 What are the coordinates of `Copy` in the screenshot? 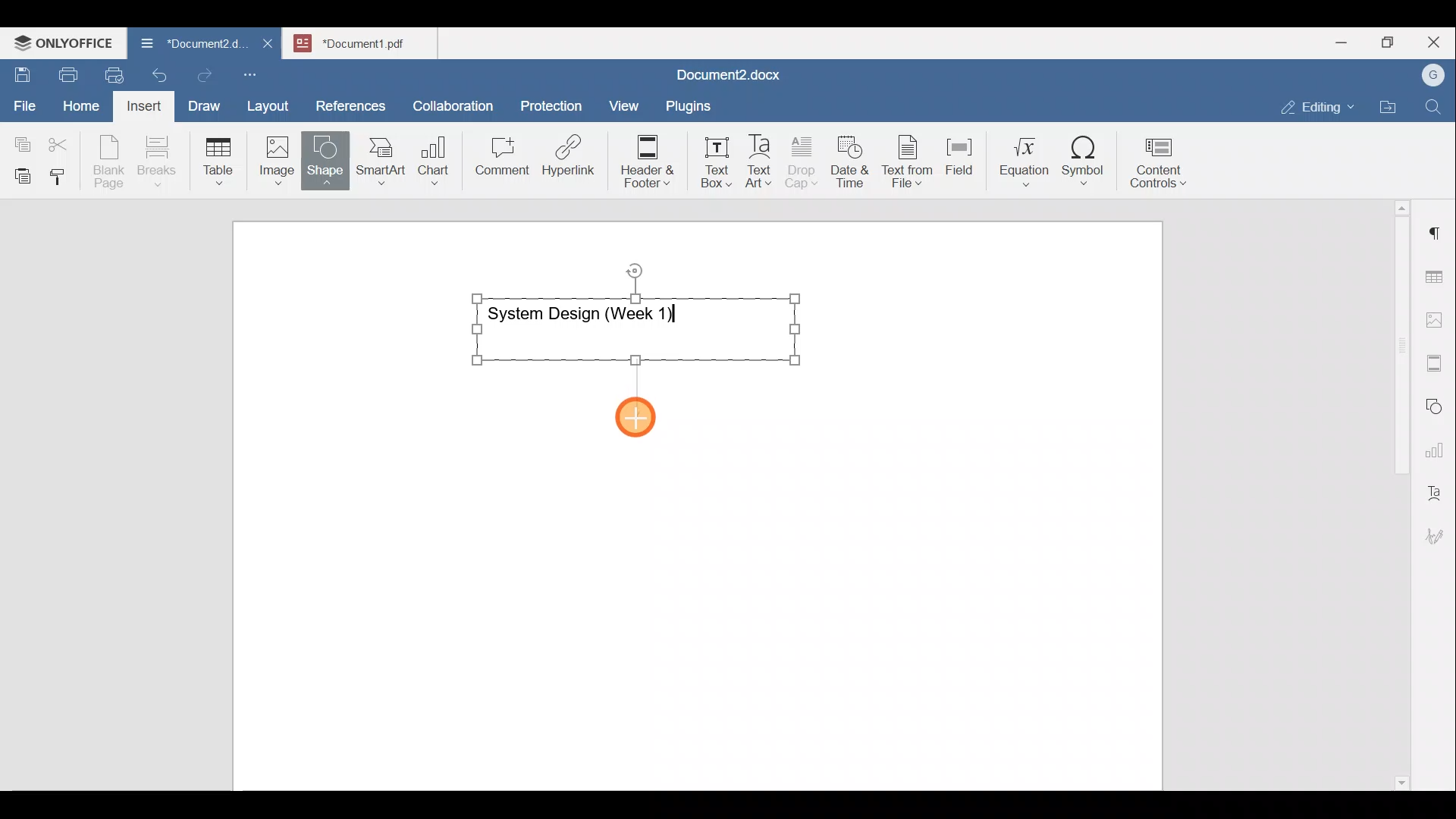 It's located at (20, 140).